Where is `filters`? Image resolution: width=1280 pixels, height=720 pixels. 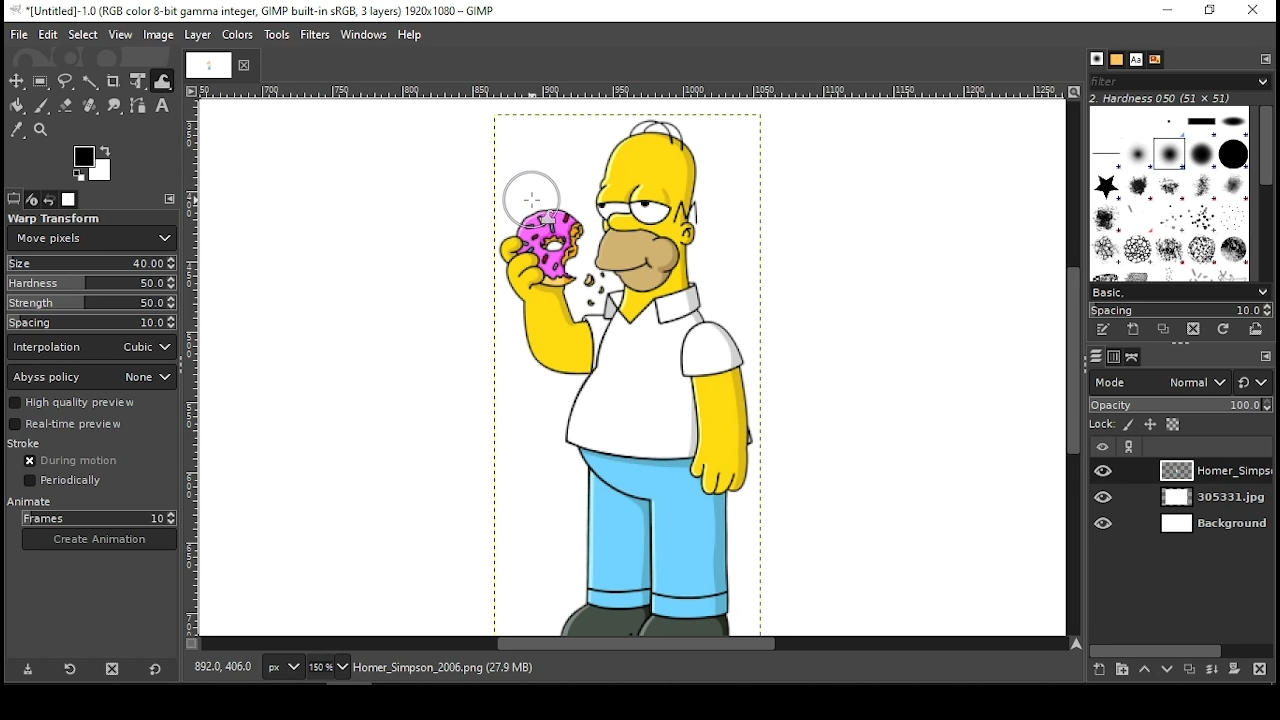
filters is located at coordinates (315, 35).